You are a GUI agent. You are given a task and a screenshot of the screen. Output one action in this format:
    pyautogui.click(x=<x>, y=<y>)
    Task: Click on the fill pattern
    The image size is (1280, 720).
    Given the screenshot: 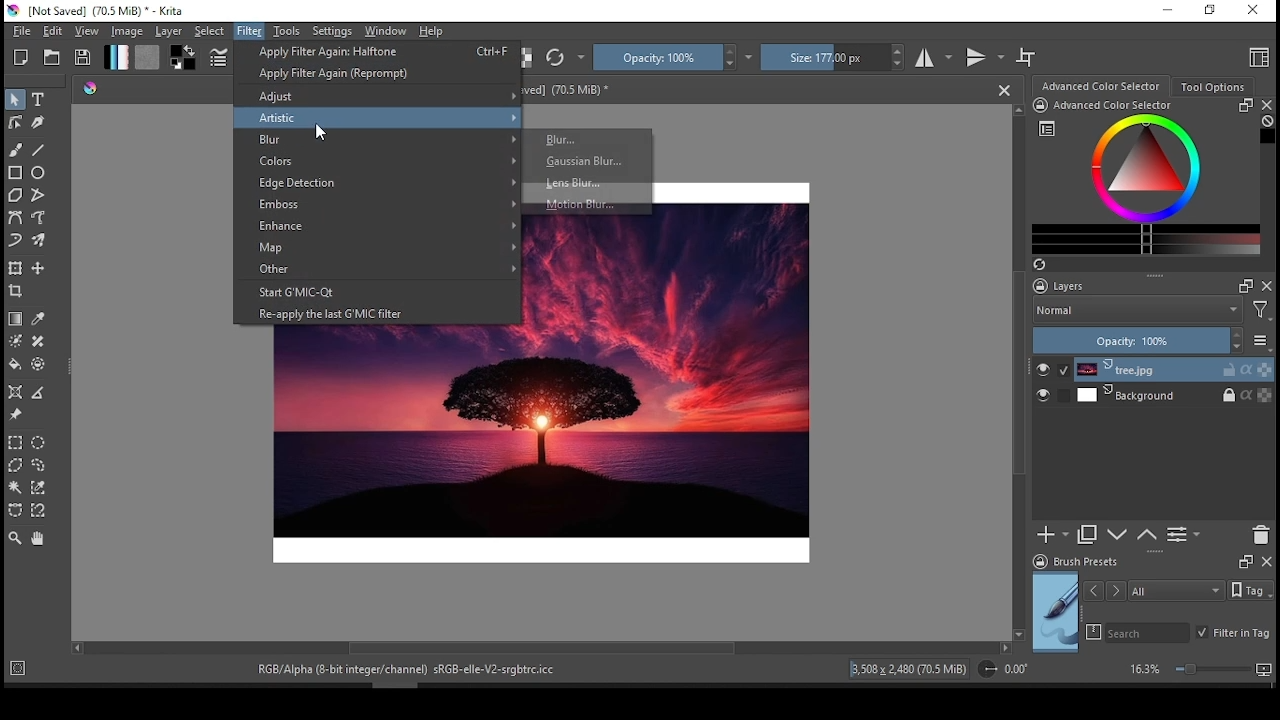 What is the action you would take?
    pyautogui.click(x=148, y=57)
    